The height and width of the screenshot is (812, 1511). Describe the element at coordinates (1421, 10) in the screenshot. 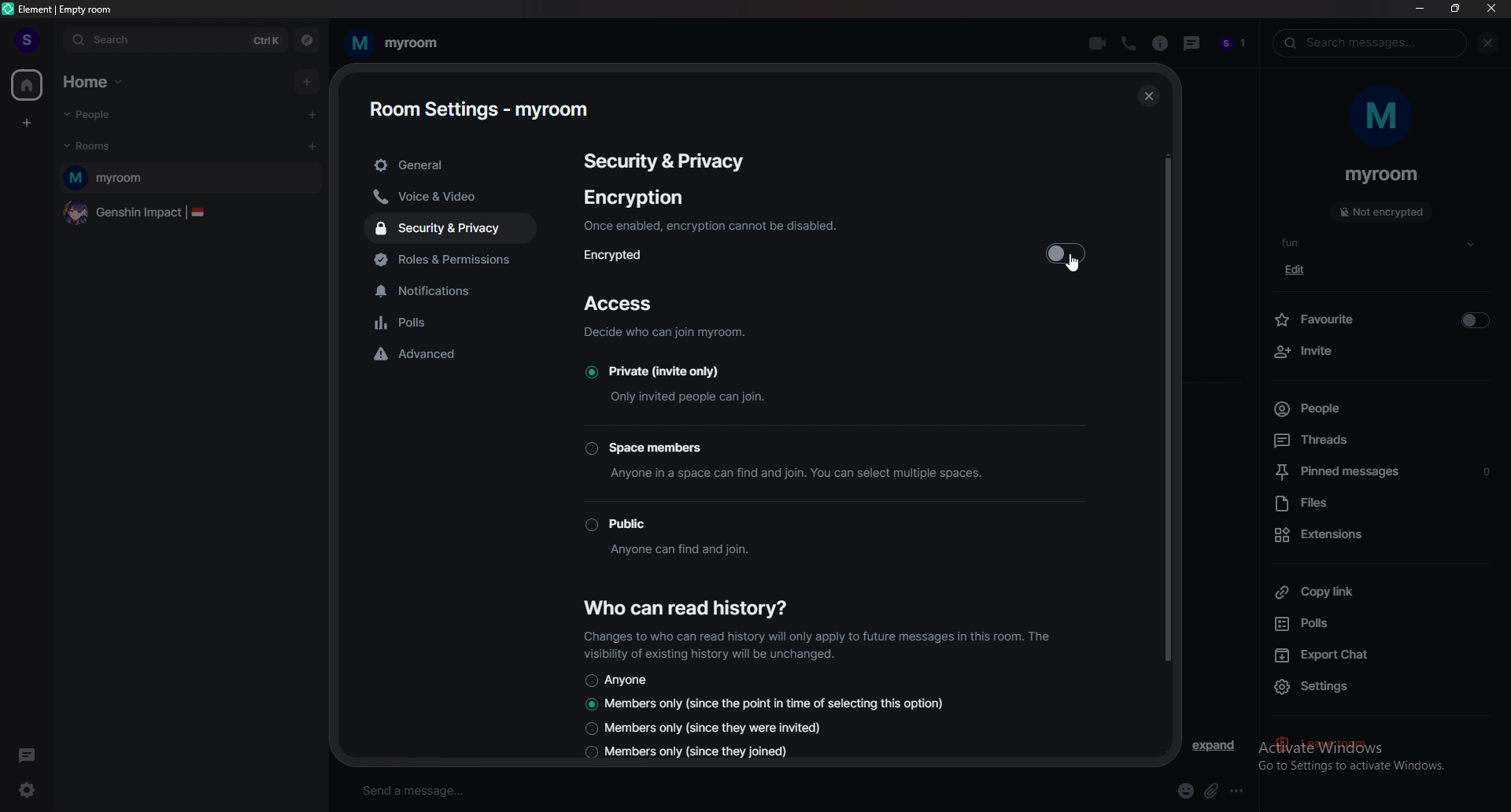

I see `minimize` at that location.